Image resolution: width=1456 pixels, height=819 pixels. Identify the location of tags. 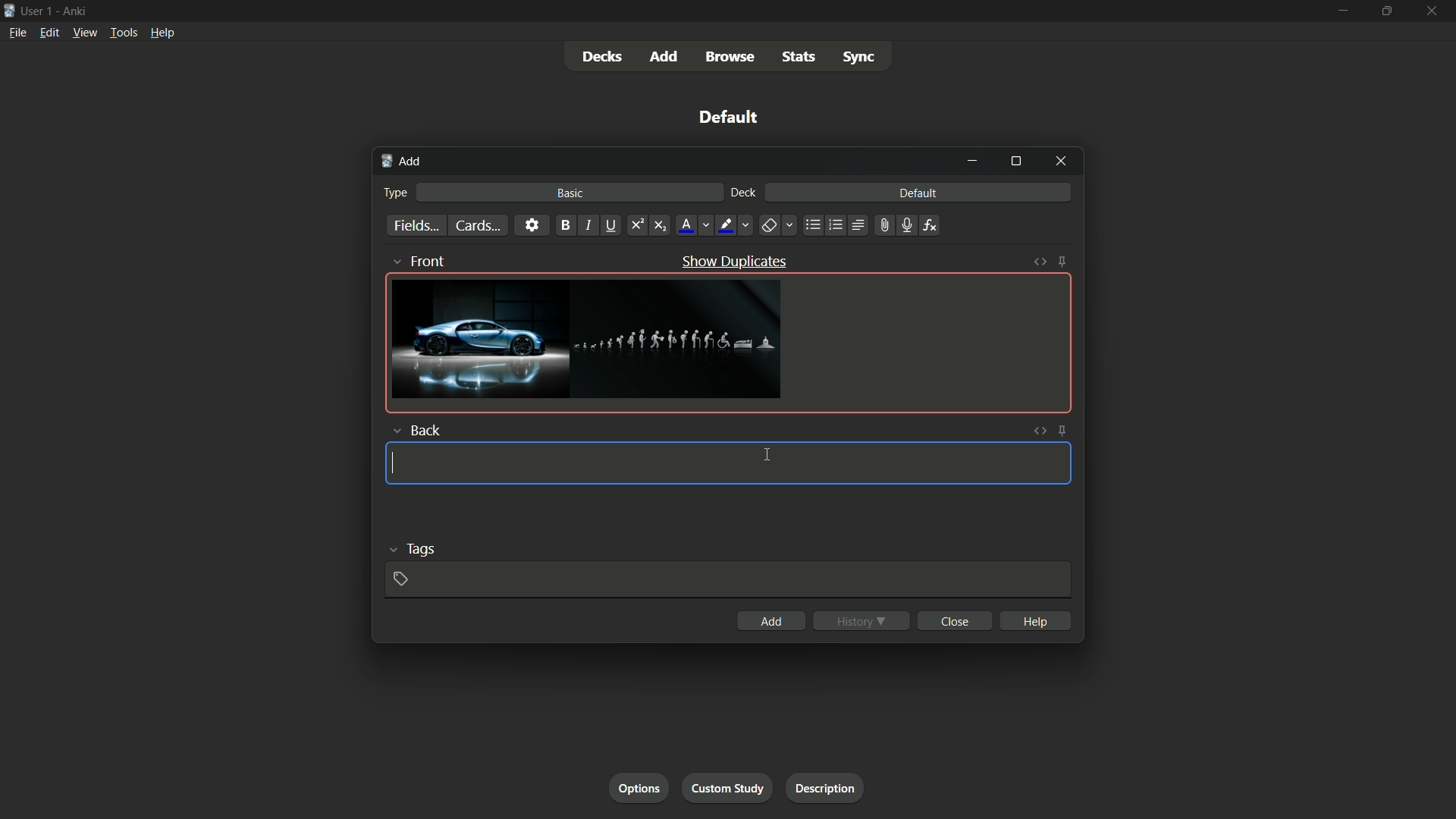
(417, 548).